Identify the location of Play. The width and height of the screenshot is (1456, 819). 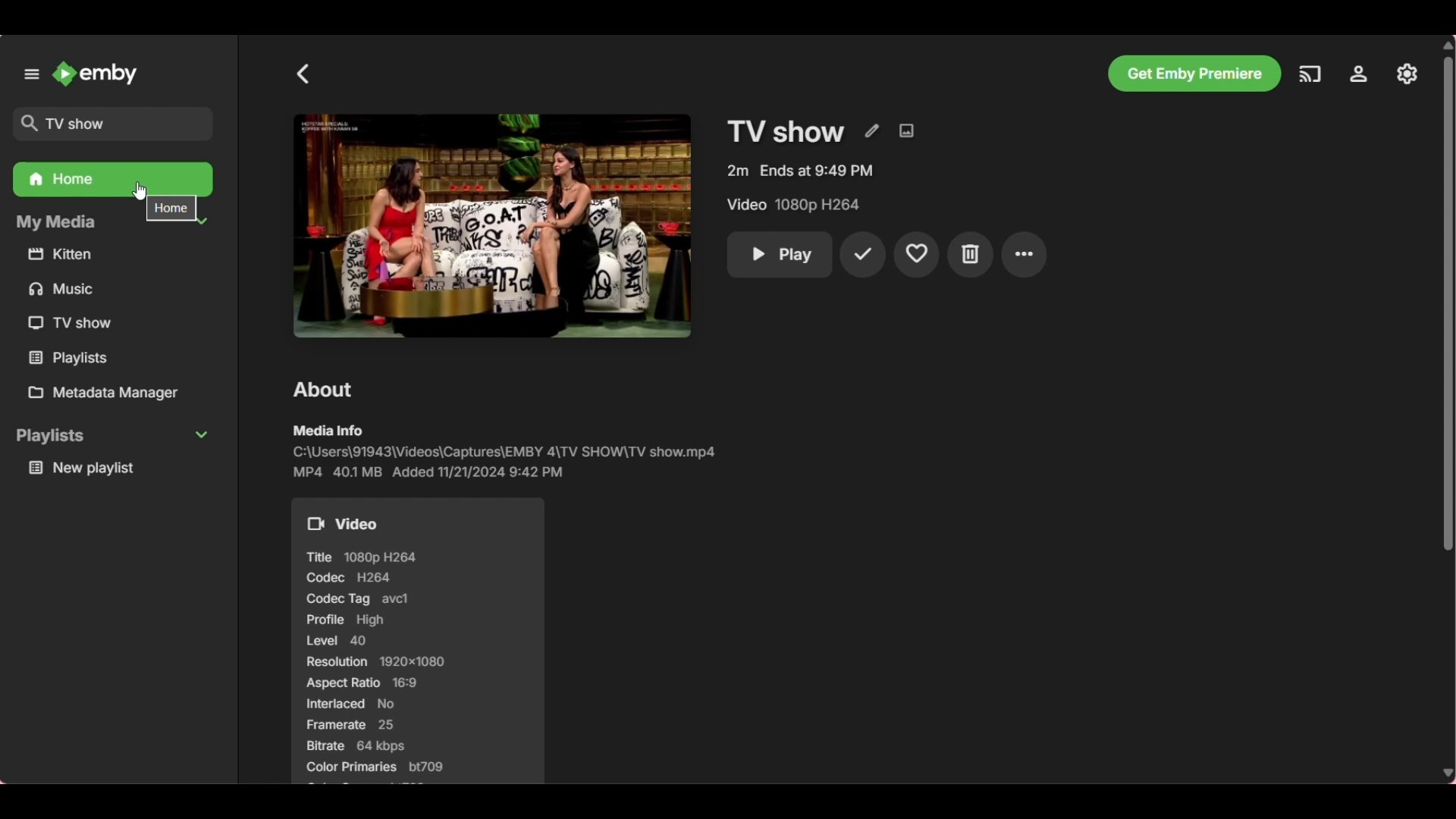
(778, 256).